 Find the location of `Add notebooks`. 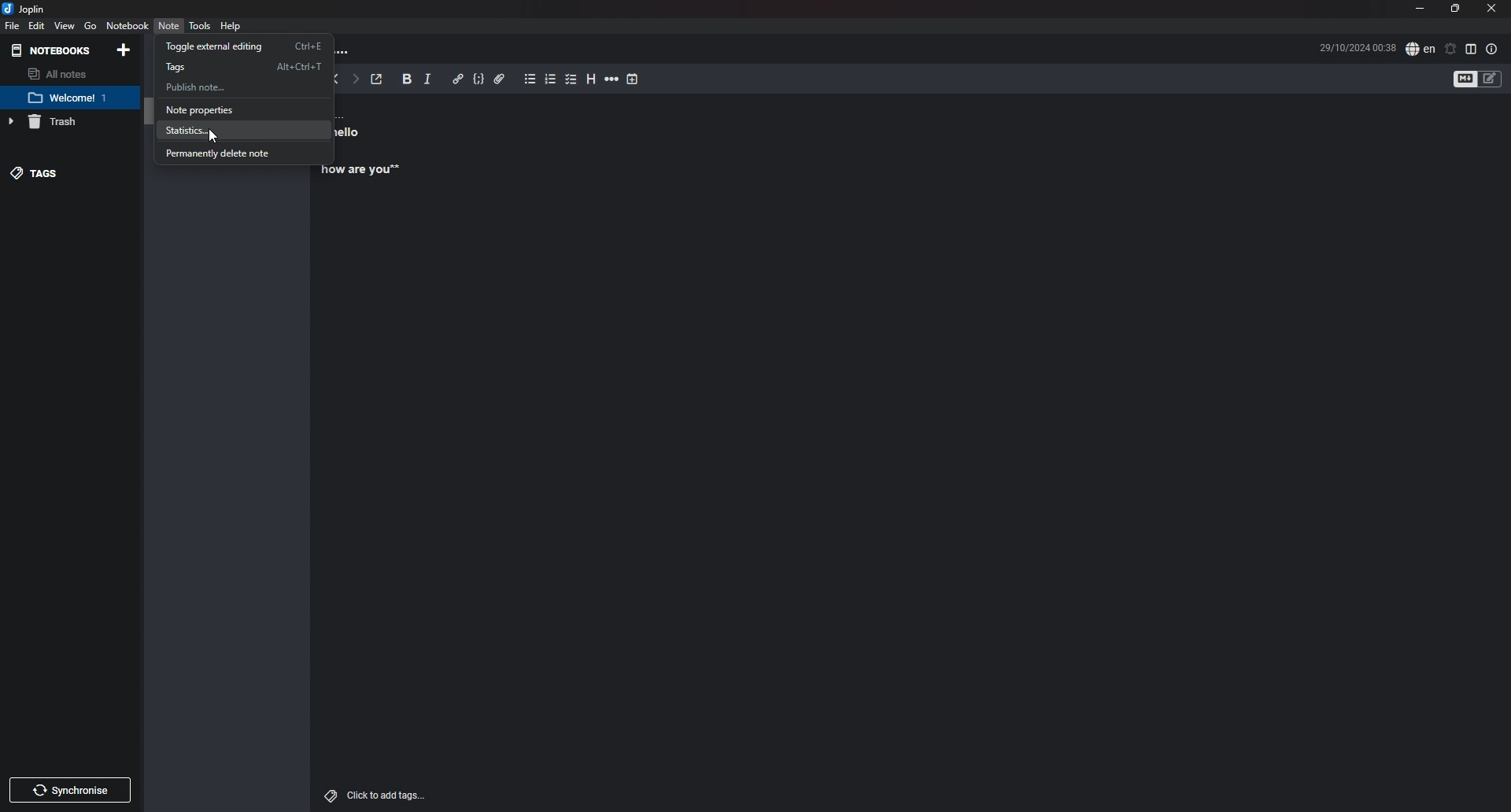

Add notebooks is located at coordinates (122, 51).